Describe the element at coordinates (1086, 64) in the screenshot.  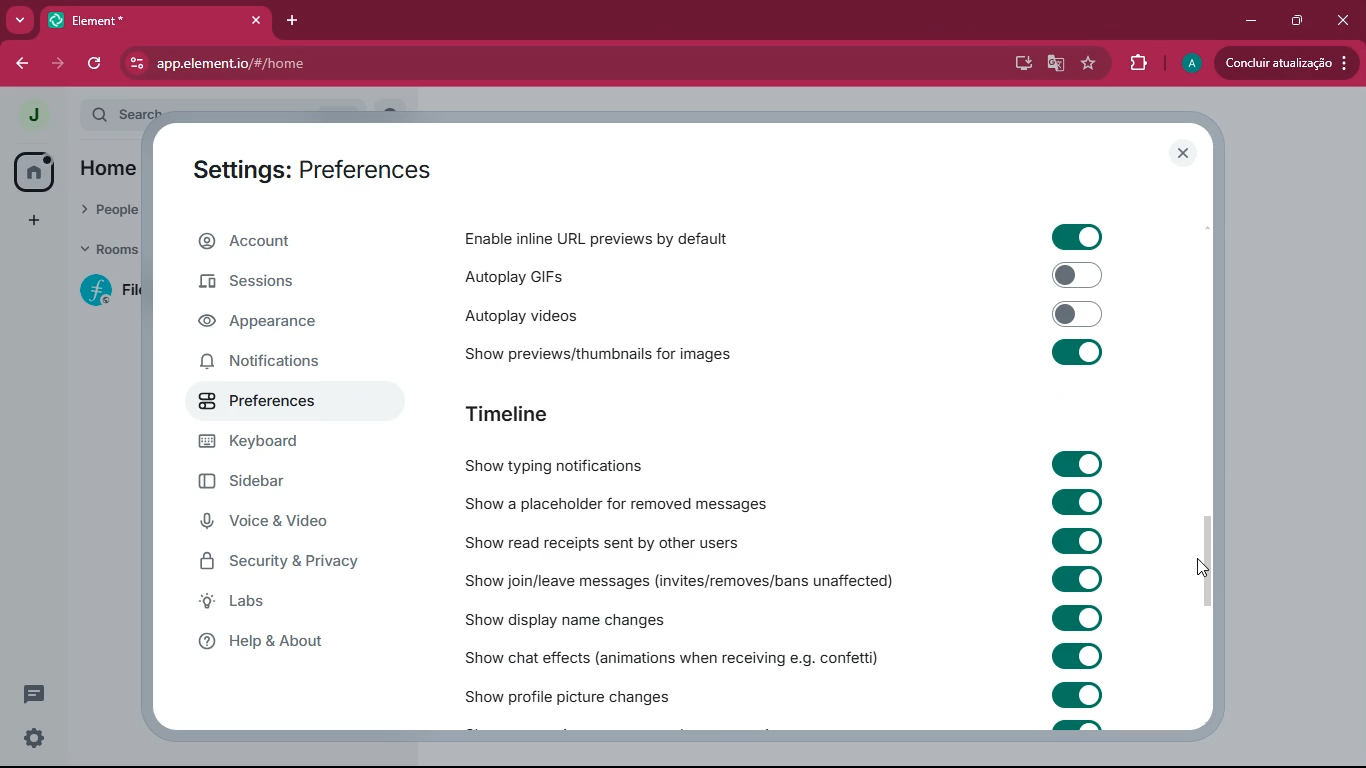
I see `favourite` at that location.